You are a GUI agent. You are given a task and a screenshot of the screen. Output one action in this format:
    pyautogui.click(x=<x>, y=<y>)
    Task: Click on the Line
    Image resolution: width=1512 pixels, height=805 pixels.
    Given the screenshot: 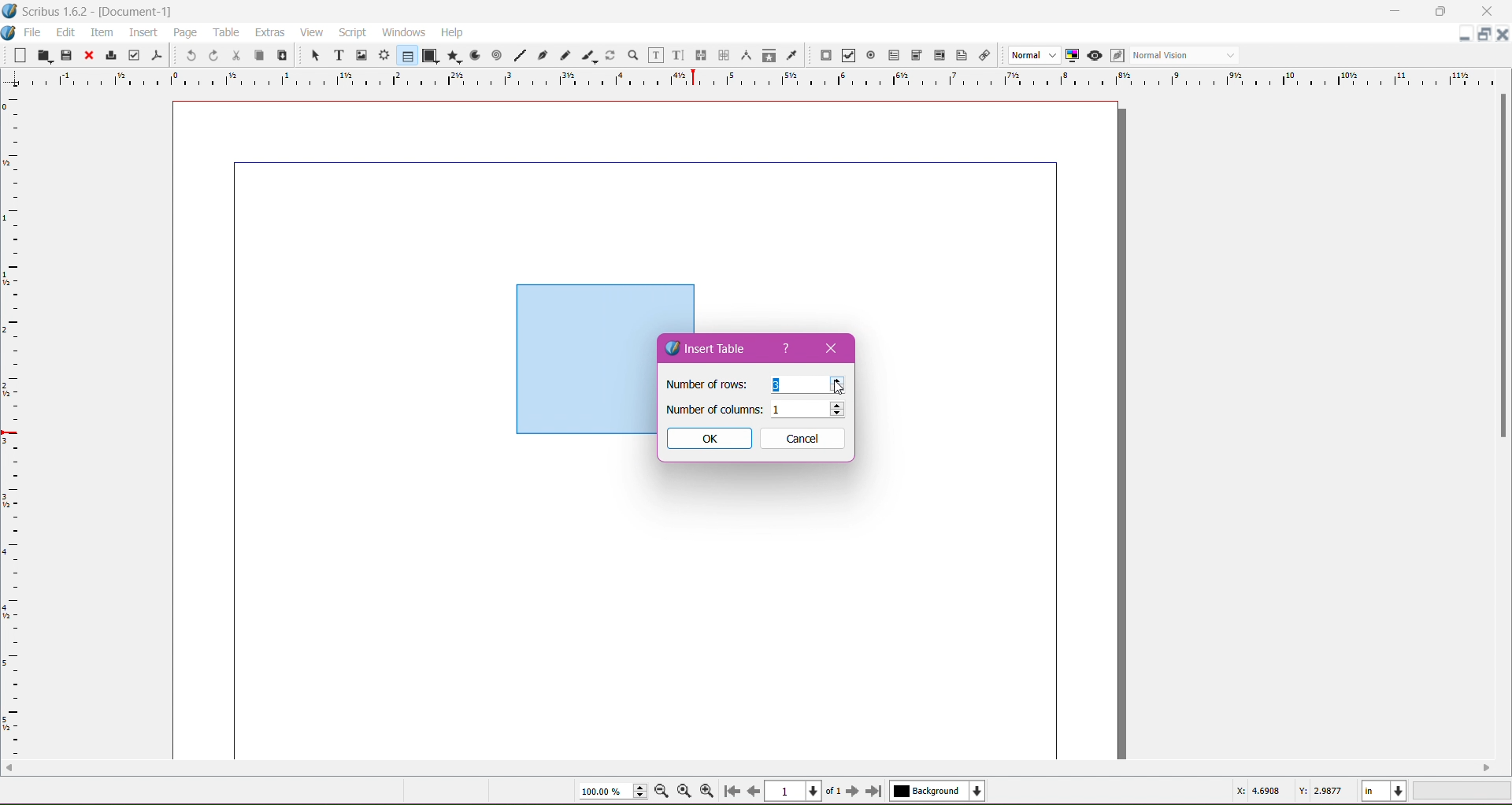 What is the action you would take?
    pyautogui.click(x=517, y=56)
    